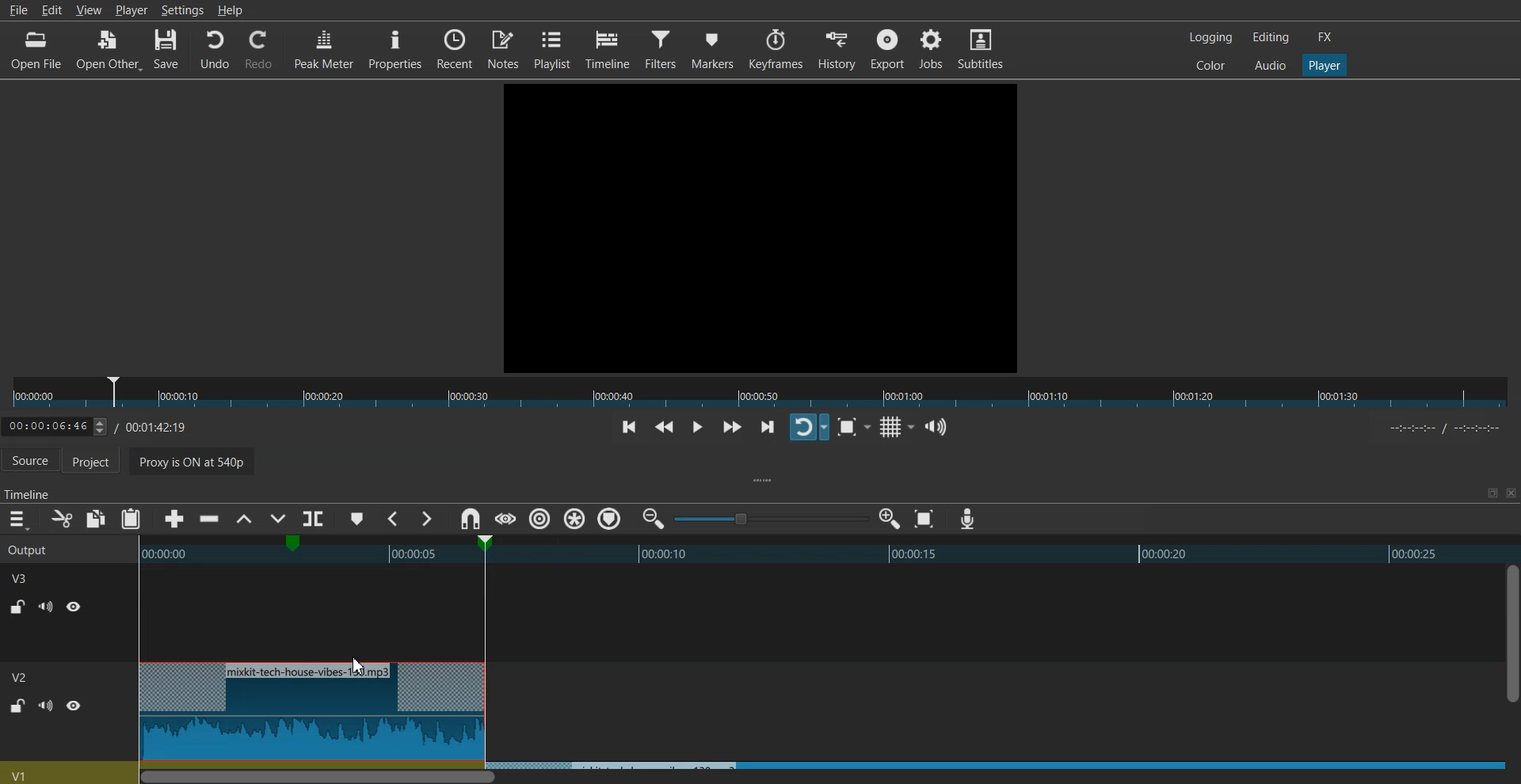 The image size is (1521, 784). I want to click on Colors, so click(1210, 64).